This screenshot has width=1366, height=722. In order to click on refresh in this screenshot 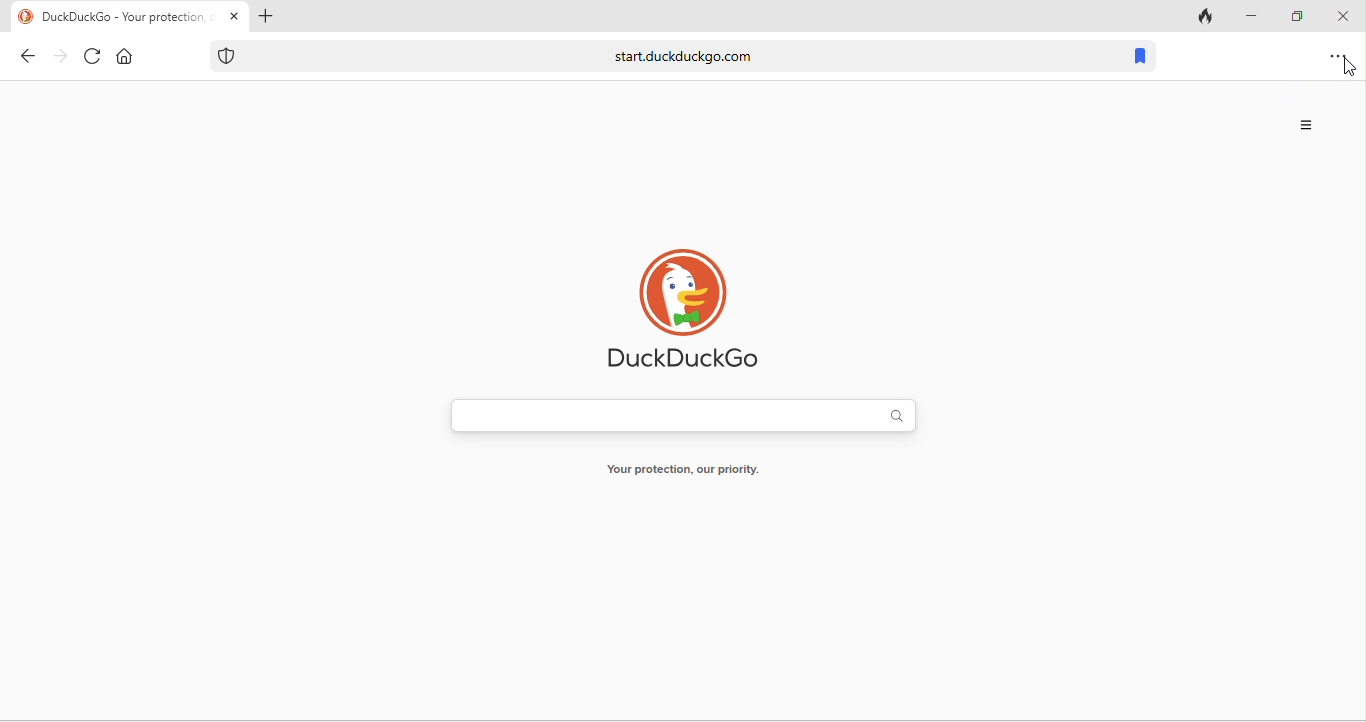, I will do `click(91, 58)`.